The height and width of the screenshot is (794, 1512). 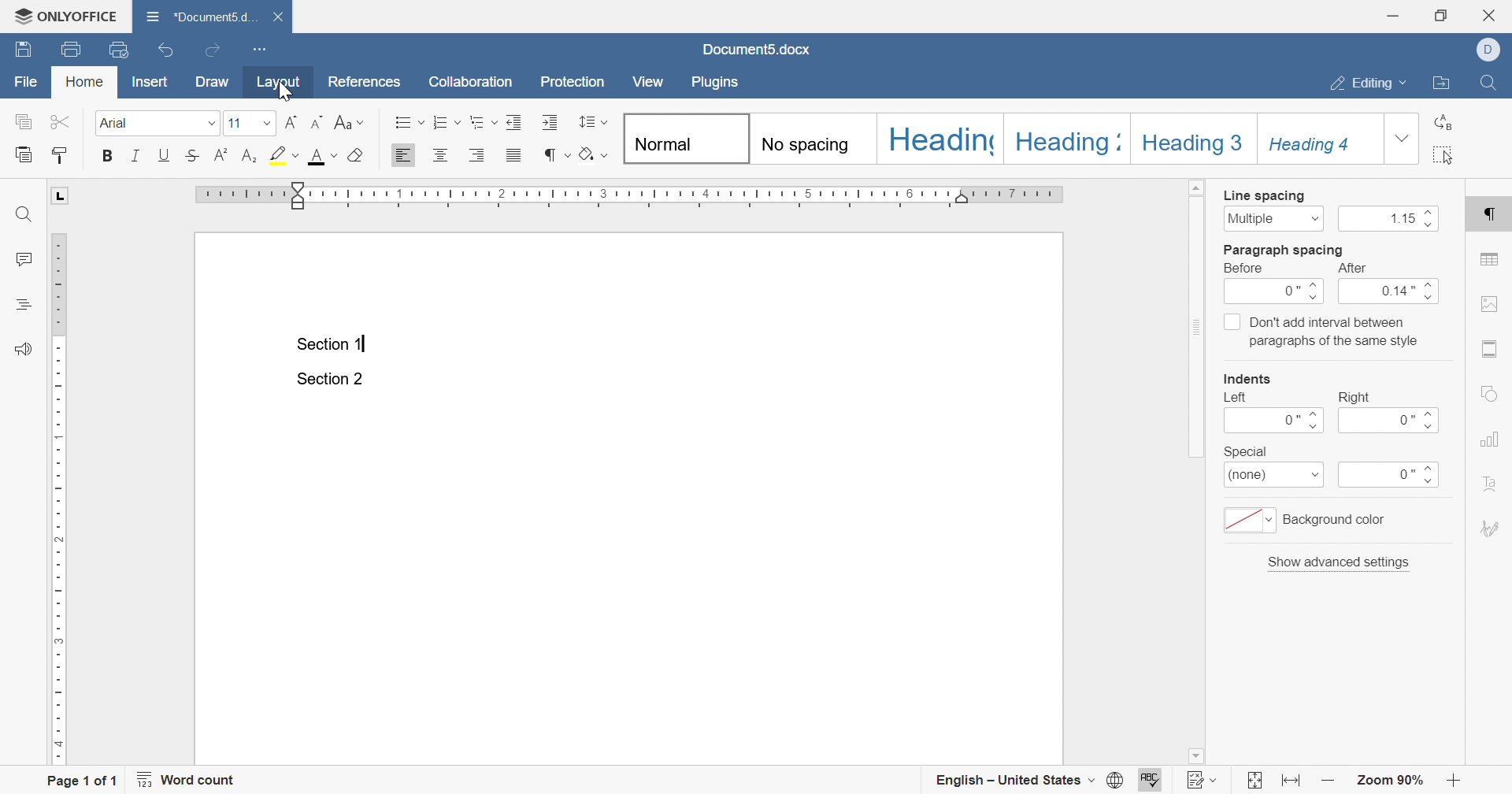 I want to click on drop down, so click(x=1402, y=138).